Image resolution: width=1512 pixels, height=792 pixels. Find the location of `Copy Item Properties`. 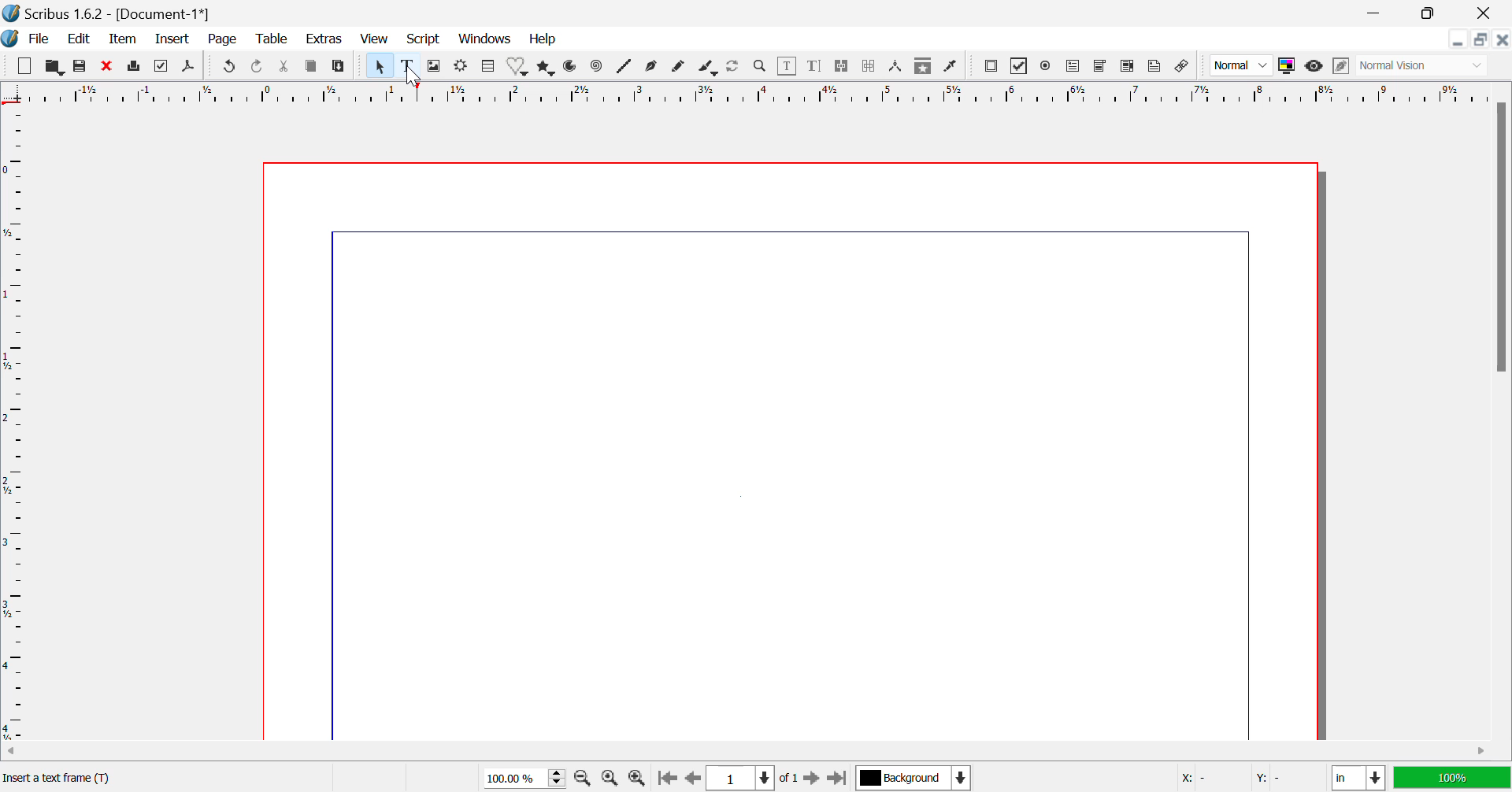

Copy Item Properties is located at coordinates (925, 67).